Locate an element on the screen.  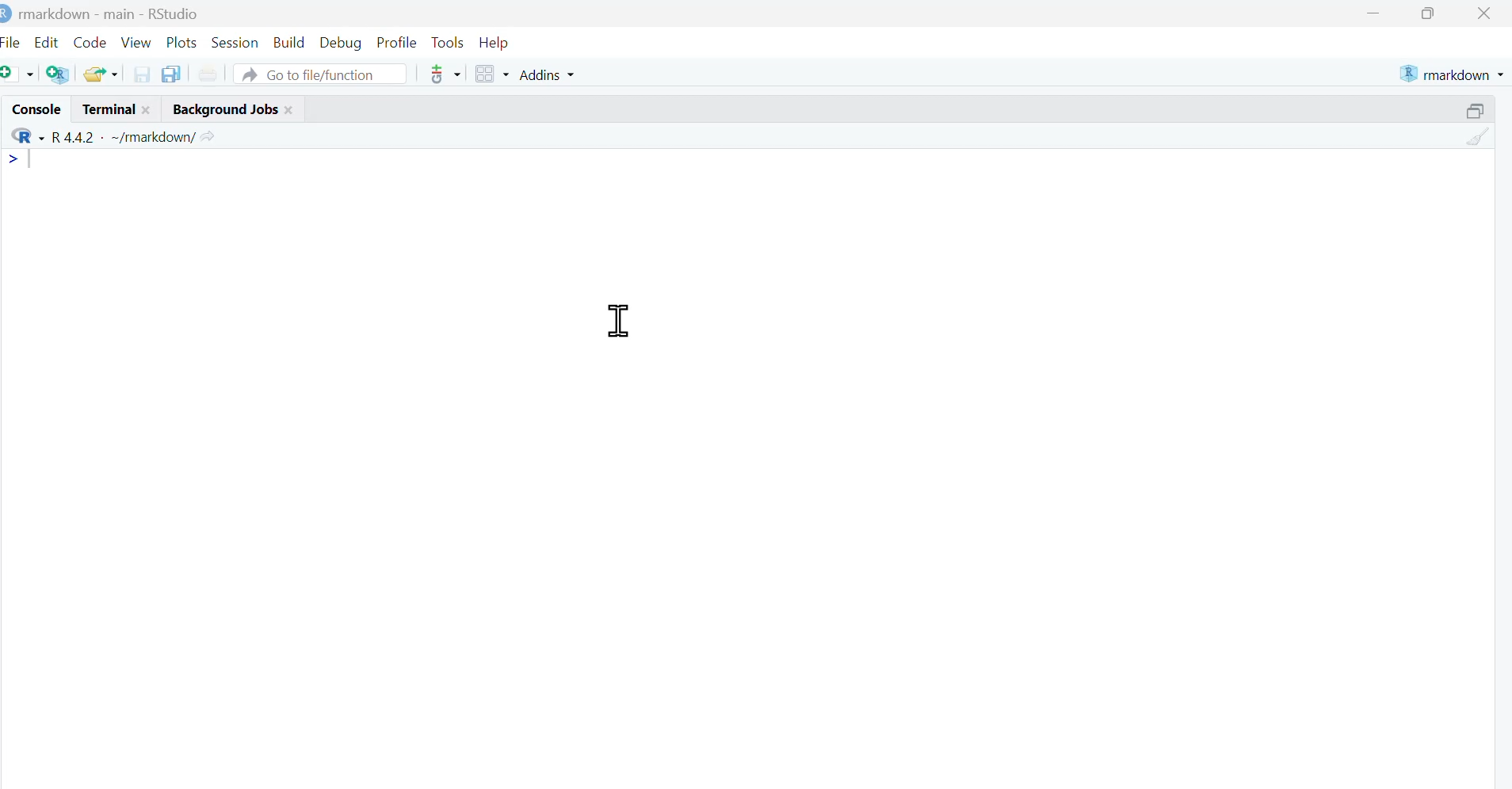
Debug is located at coordinates (341, 40).